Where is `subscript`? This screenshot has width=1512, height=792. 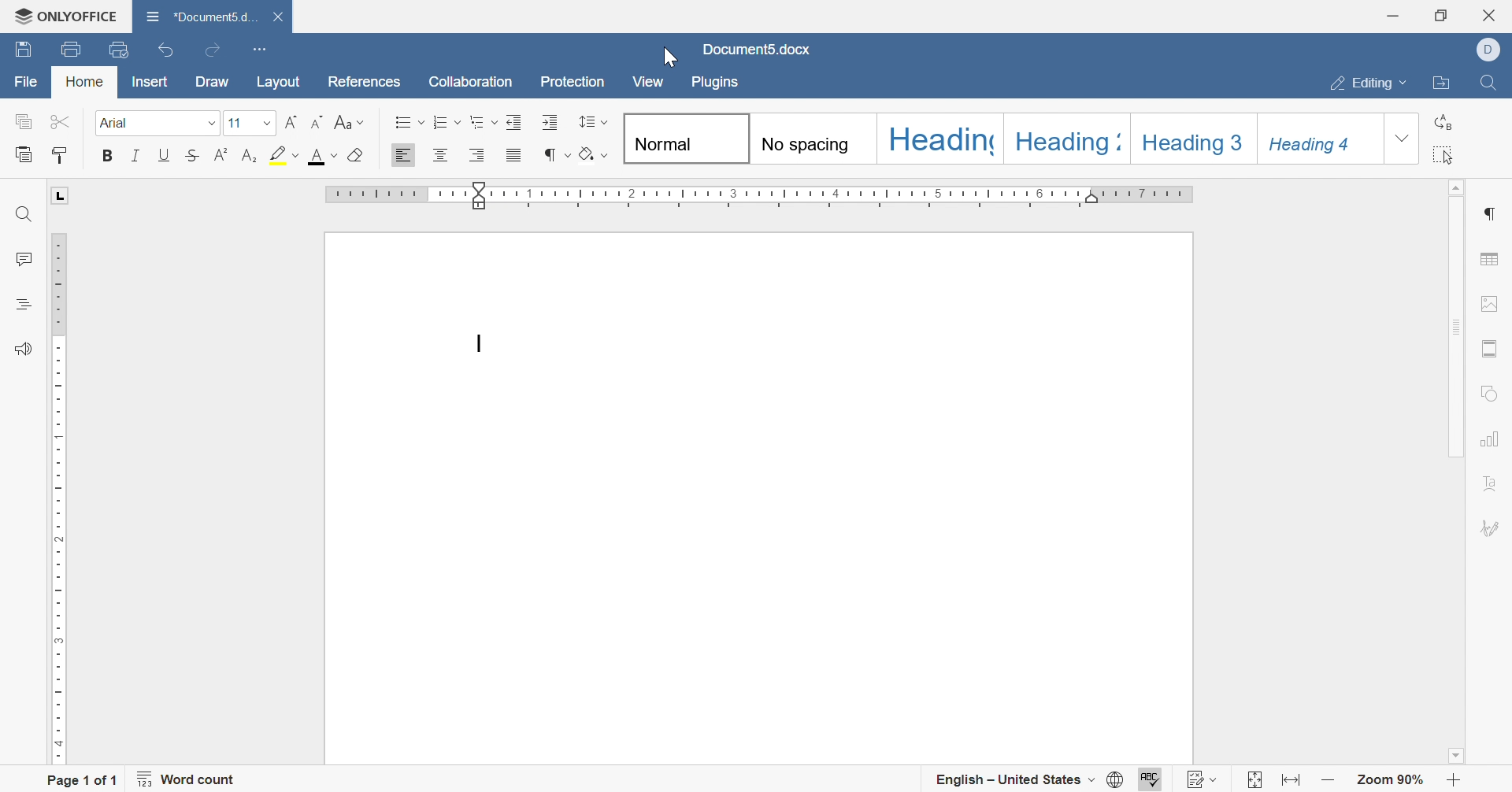
subscript is located at coordinates (250, 154).